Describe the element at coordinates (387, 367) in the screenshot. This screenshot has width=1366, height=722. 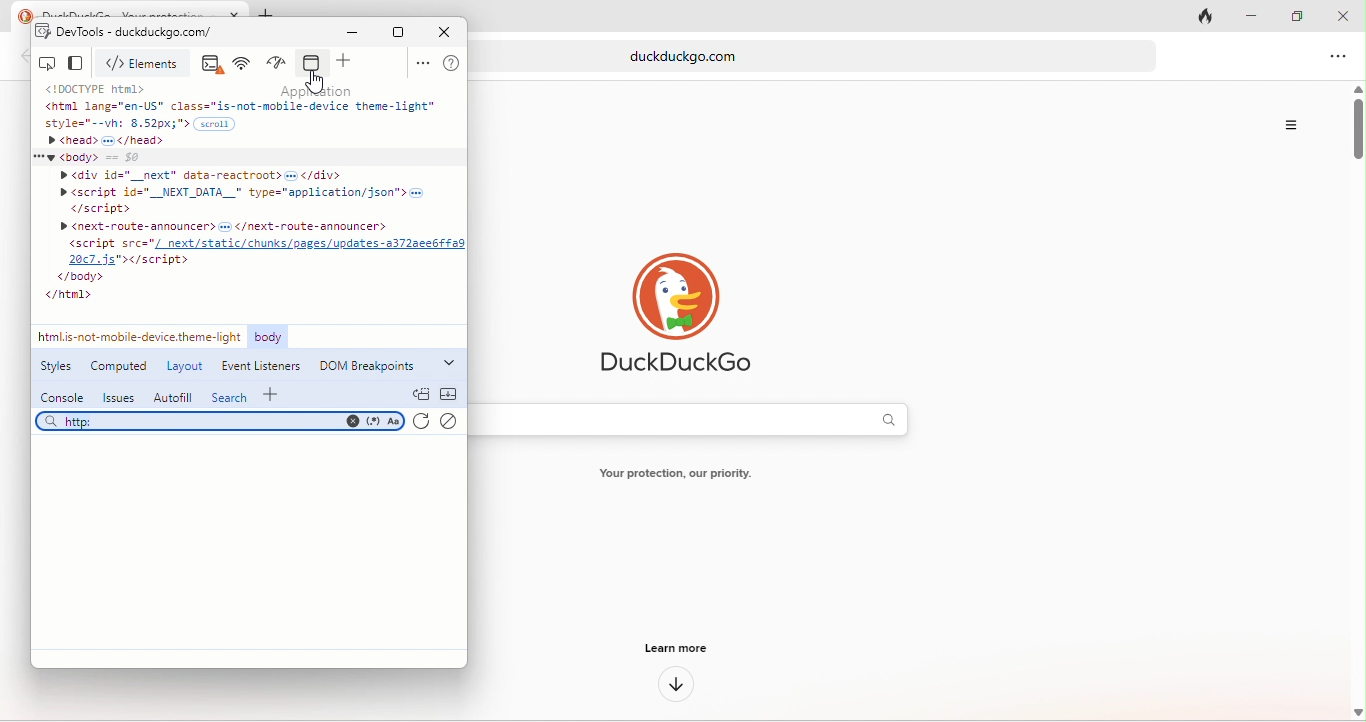
I see `dom breakpoints` at that location.